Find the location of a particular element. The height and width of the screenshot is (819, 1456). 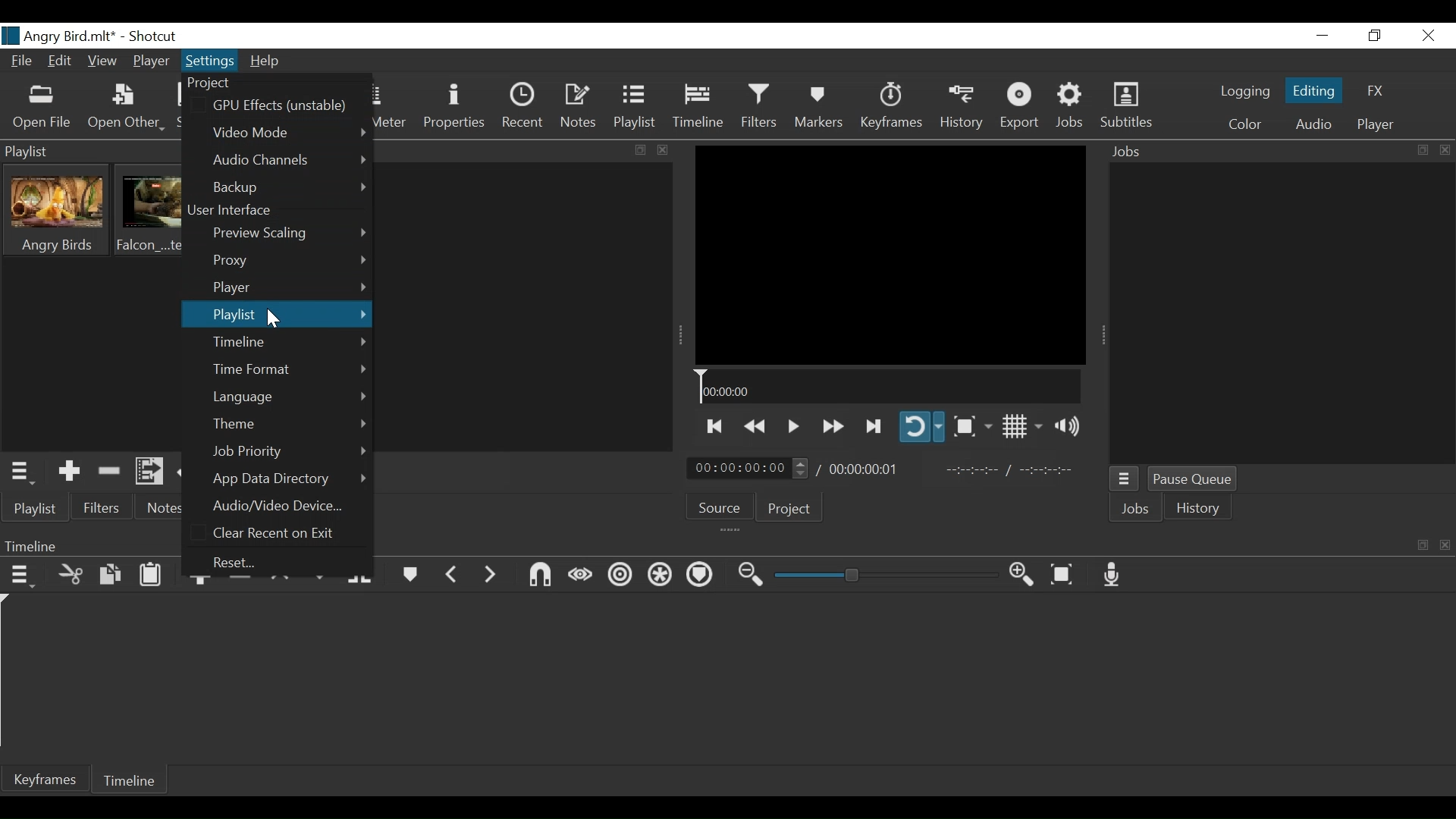

Editing is located at coordinates (1314, 91).